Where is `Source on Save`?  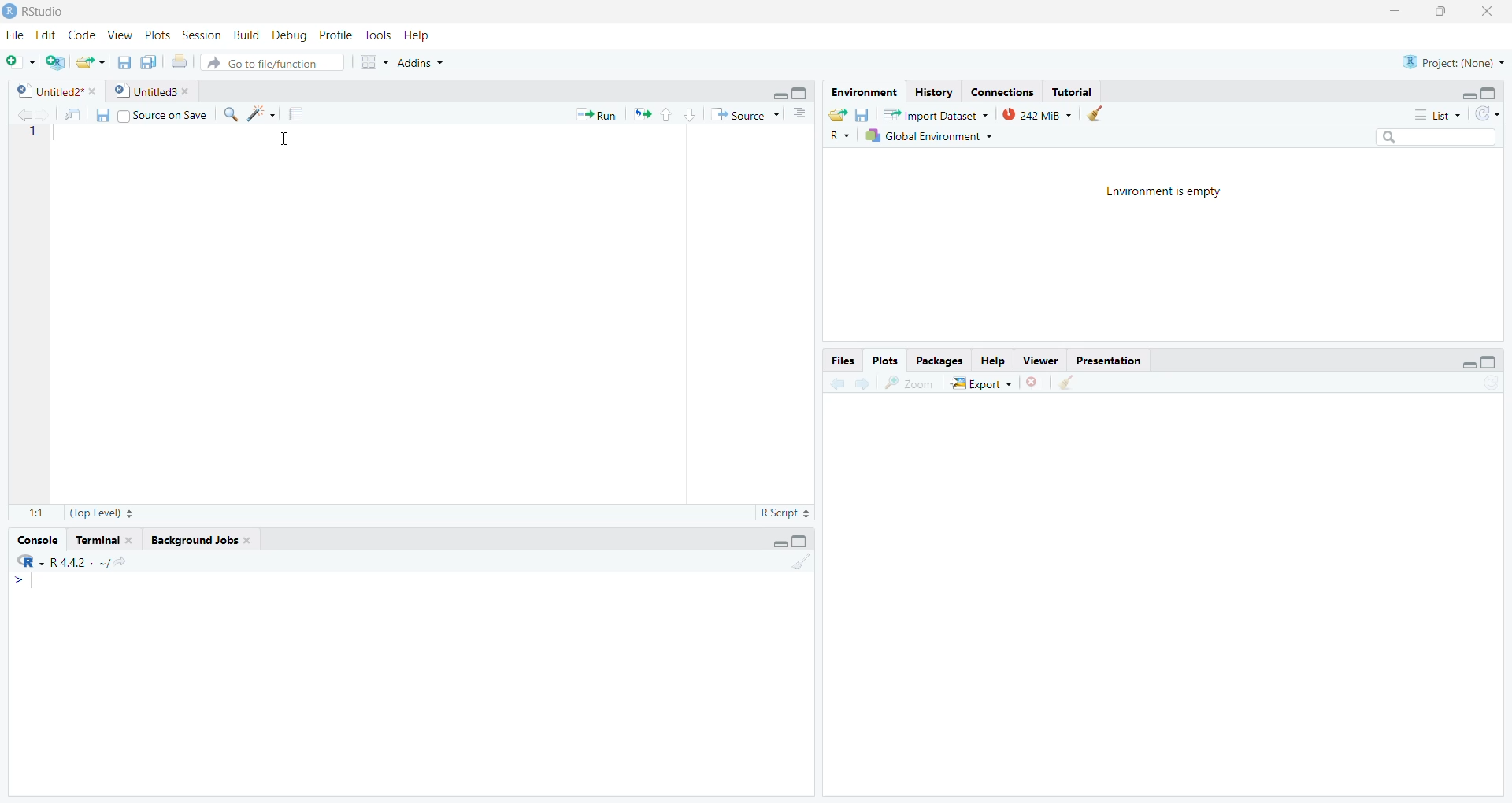 Source on Save is located at coordinates (151, 114).